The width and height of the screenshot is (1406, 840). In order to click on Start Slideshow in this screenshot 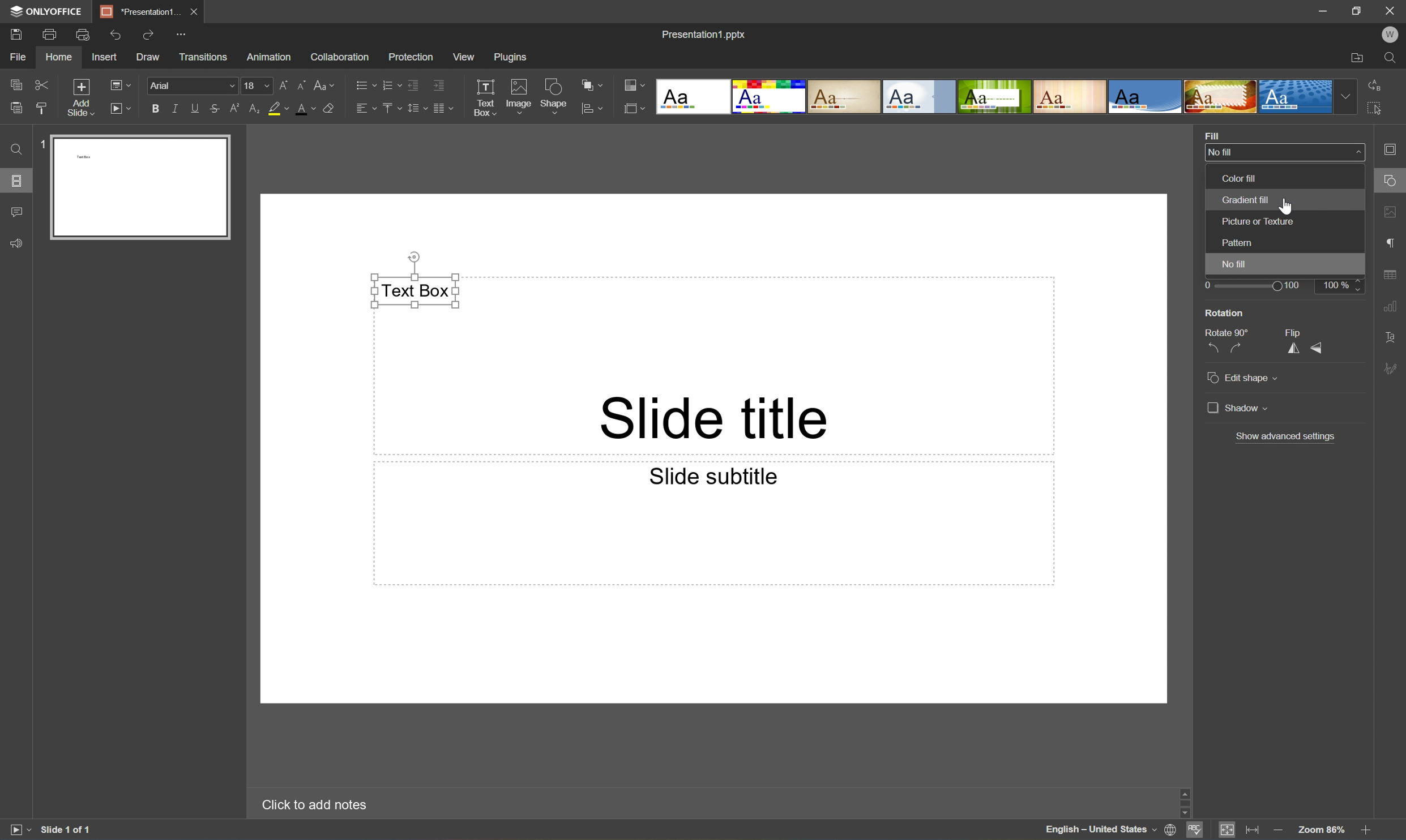, I will do `click(119, 108)`.